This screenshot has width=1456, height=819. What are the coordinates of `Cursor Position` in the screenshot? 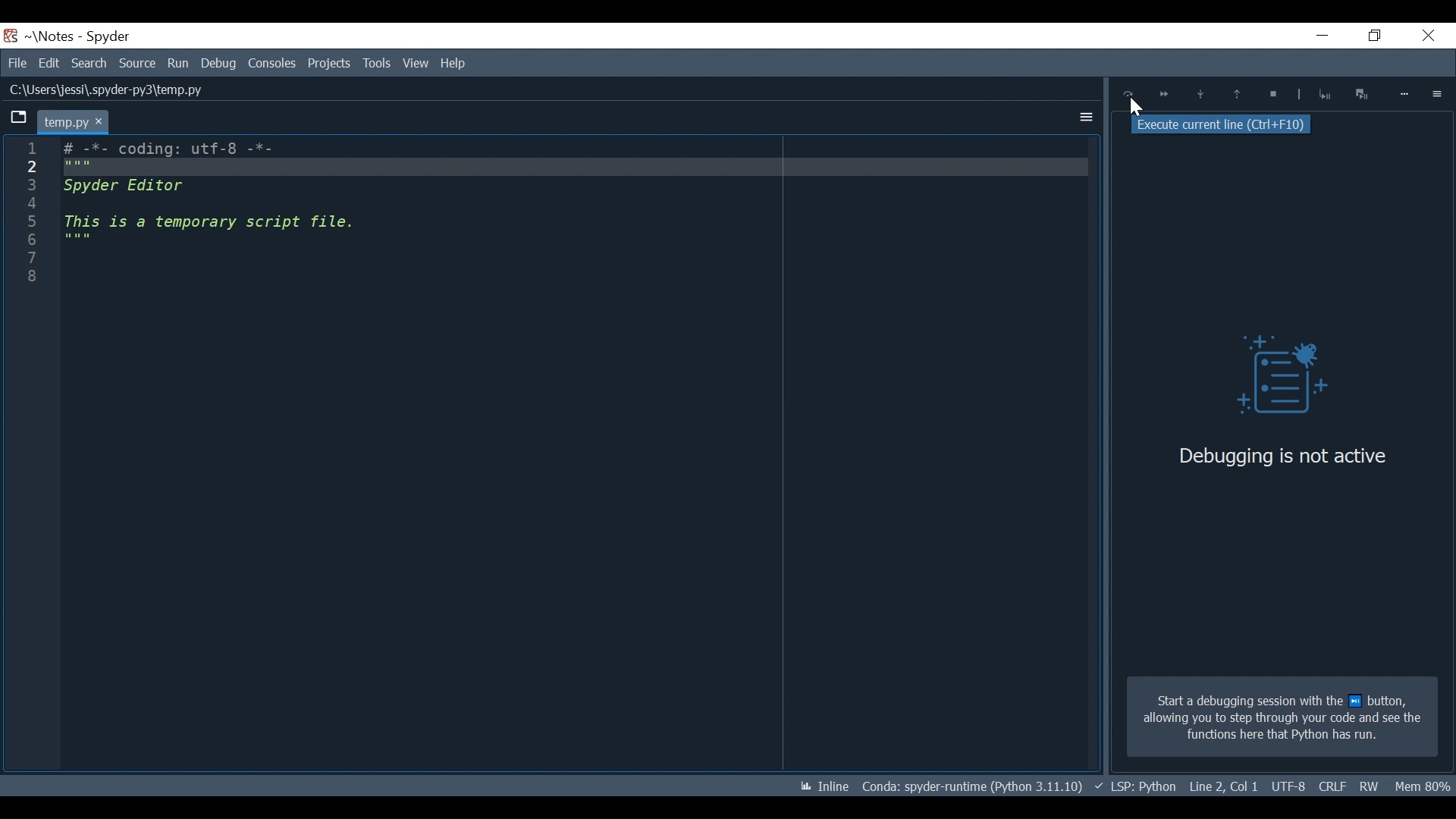 It's located at (1288, 787).